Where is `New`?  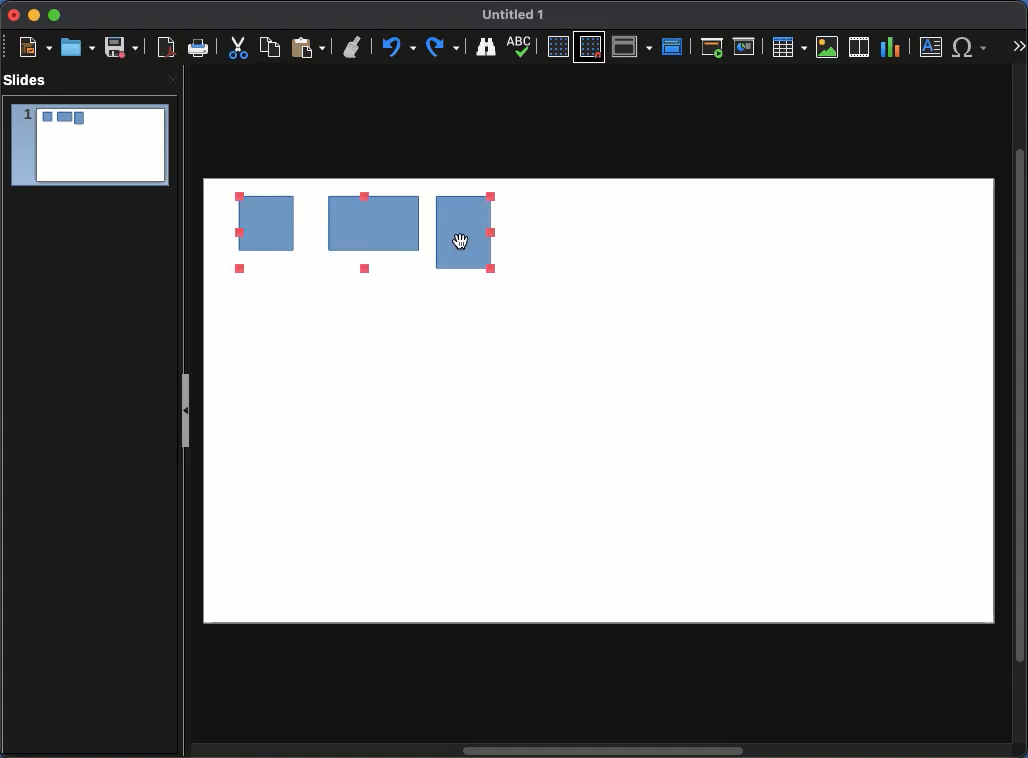 New is located at coordinates (35, 47).